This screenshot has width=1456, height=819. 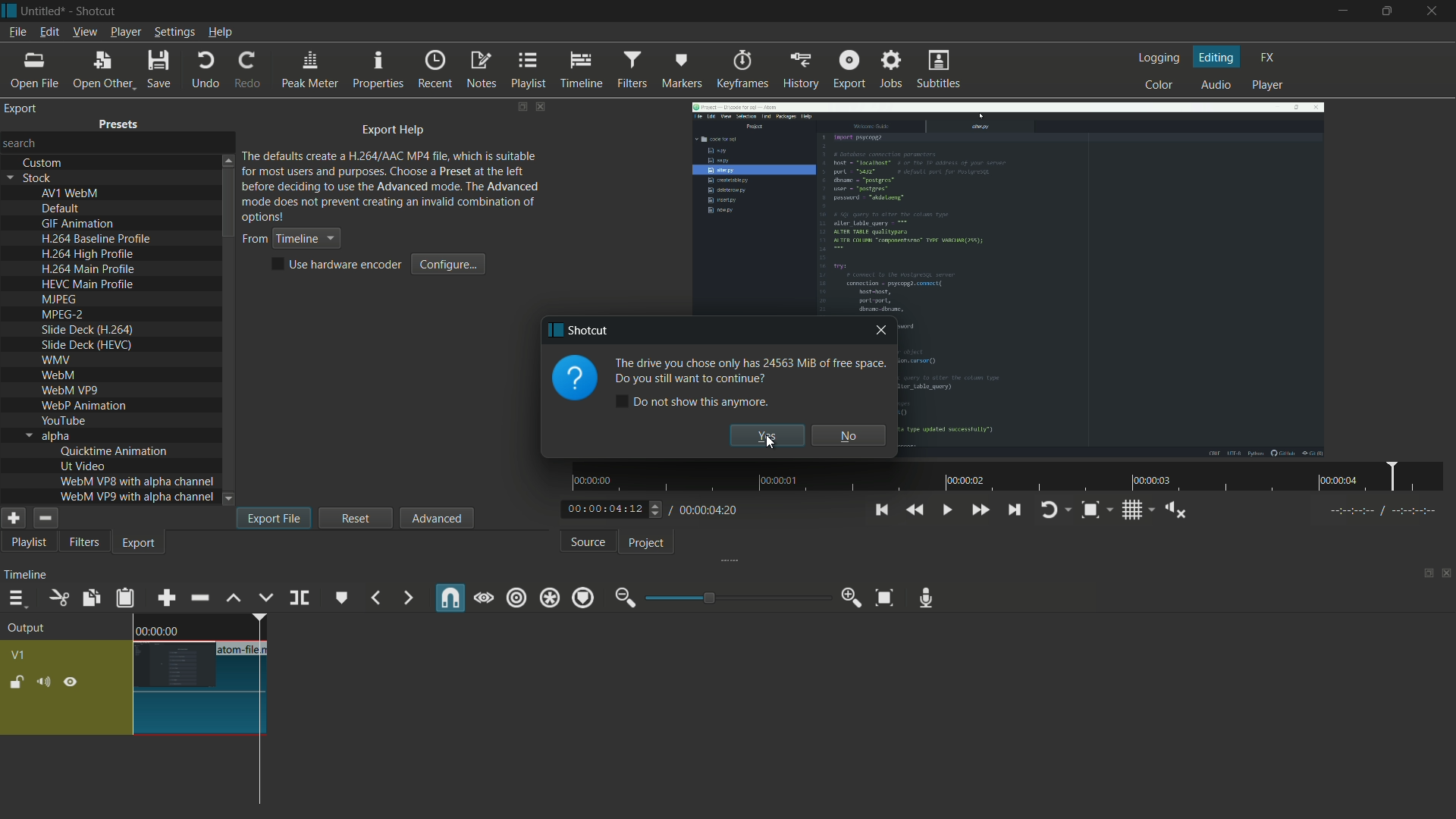 What do you see at coordinates (57, 300) in the screenshot?
I see `mjpeg` at bounding box center [57, 300].